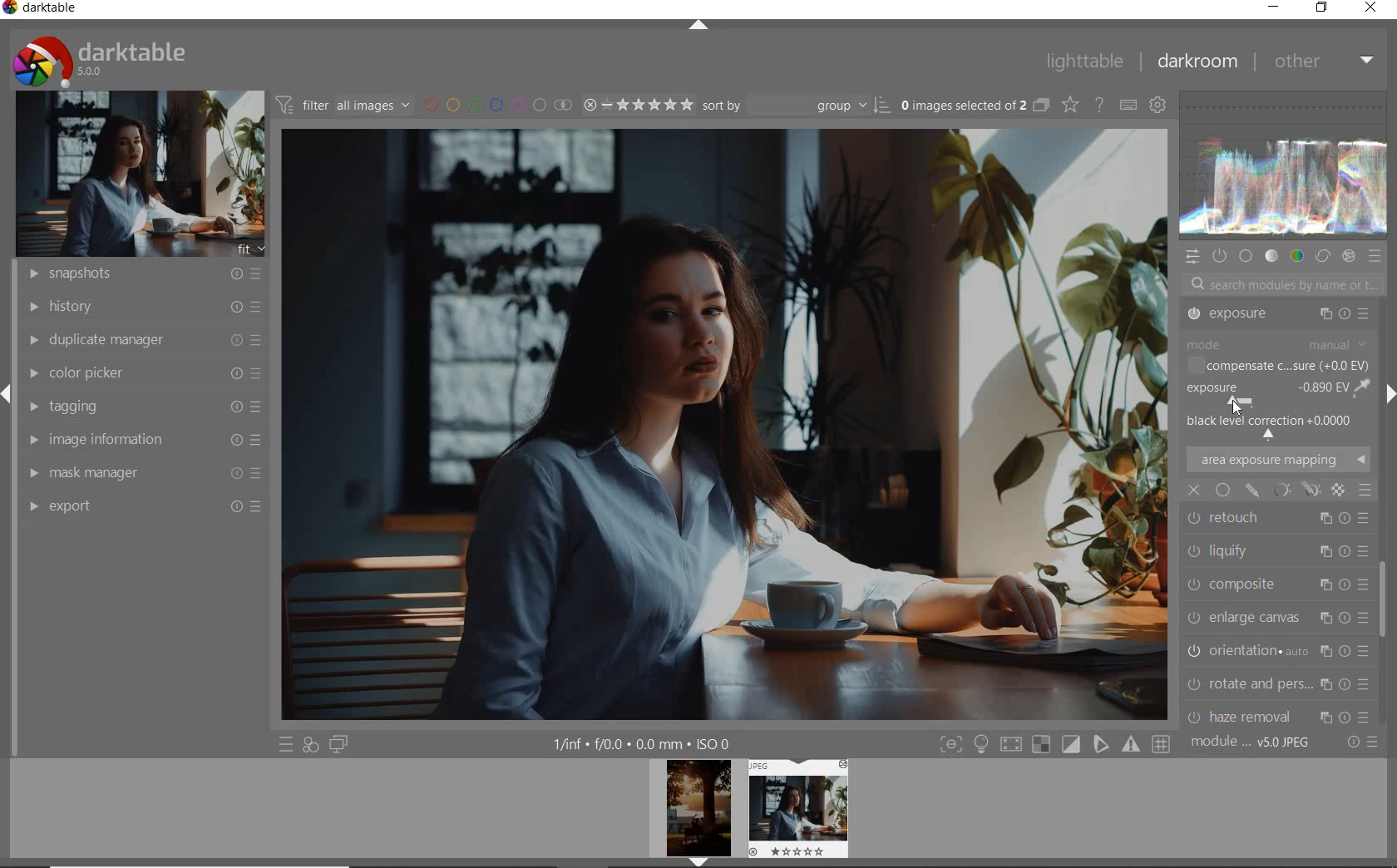 The width and height of the screenshot is (1397, 868). What do you see at coordinates (141, 440) in the screenshot?
I see `IMAGE INFORMATION` at bounding box center [141, 440].